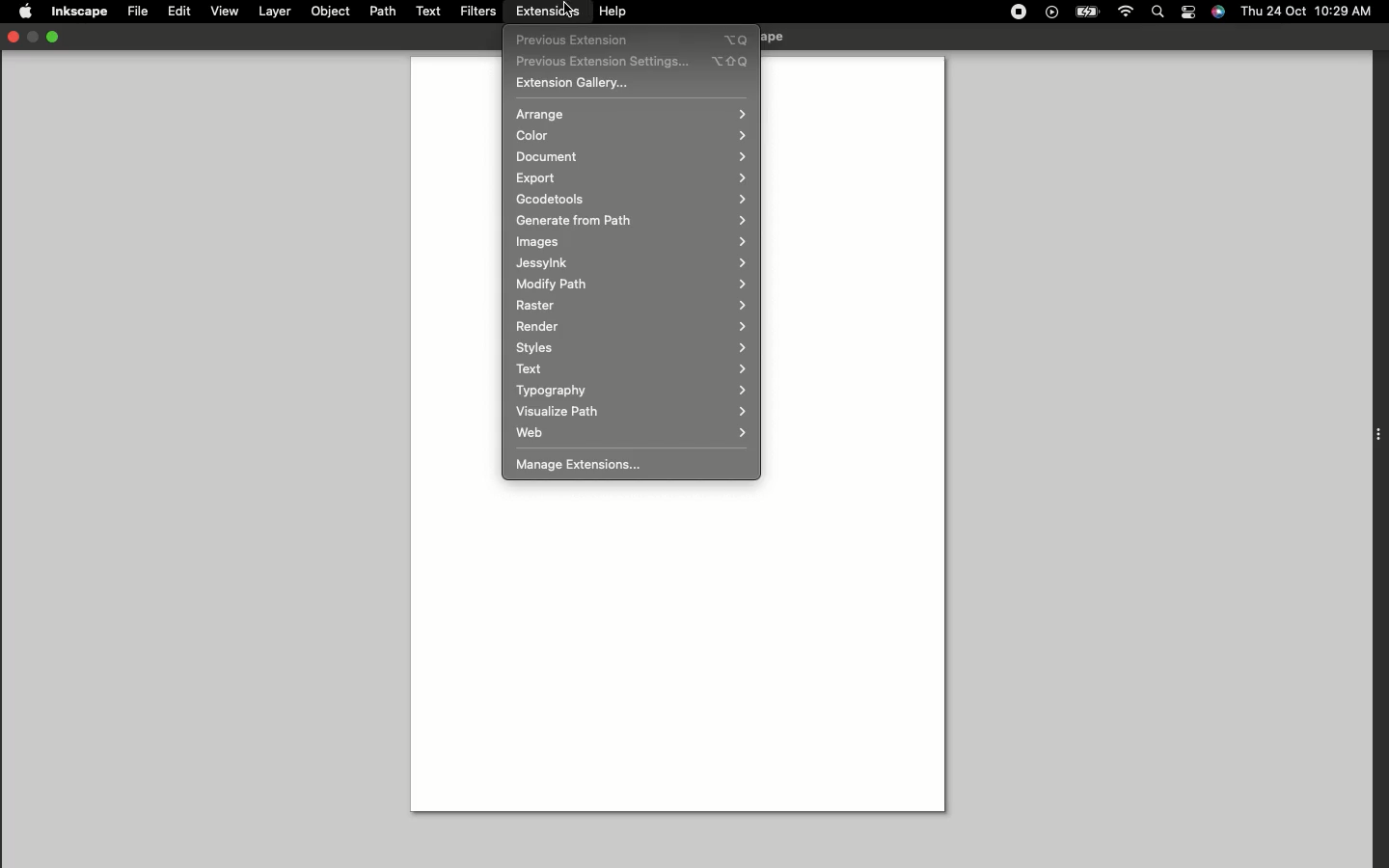 Image resolution: width=1389 pixels, height=868 pixels. Describe the element at coordinates (635, 390) in the screenshot. I see `Typography` at that location.